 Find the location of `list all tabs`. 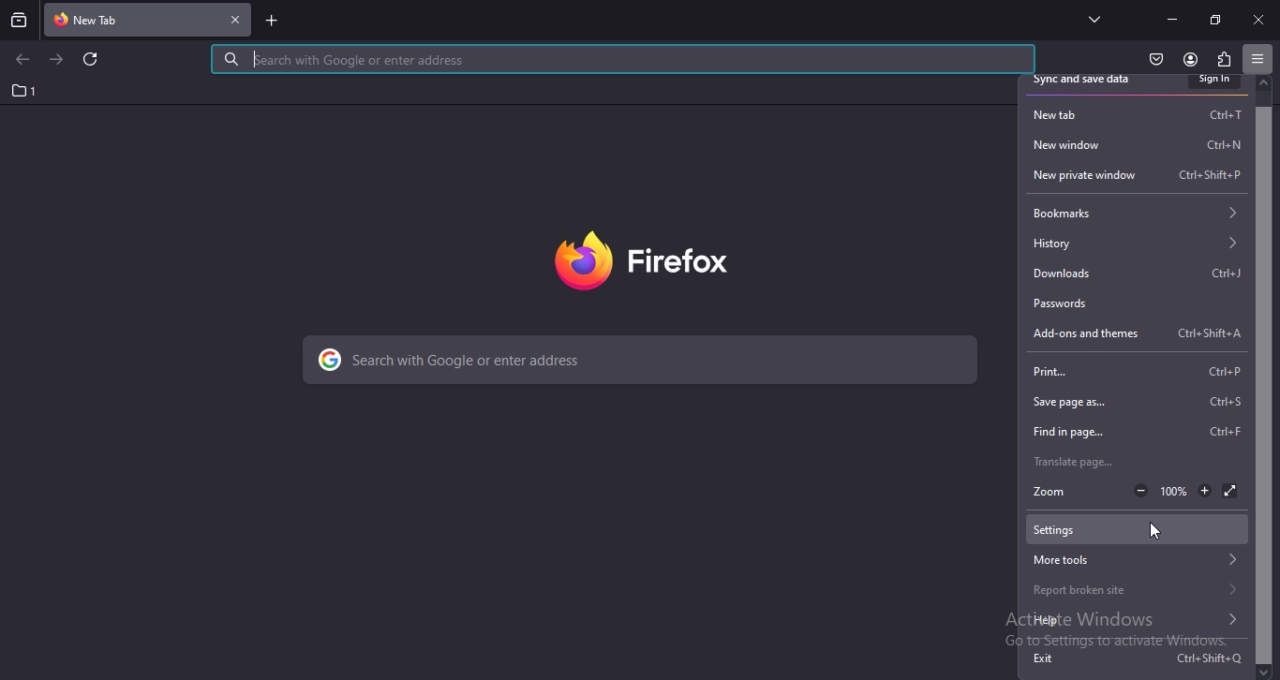

list all tabs is located at coordinates (1091, 19).